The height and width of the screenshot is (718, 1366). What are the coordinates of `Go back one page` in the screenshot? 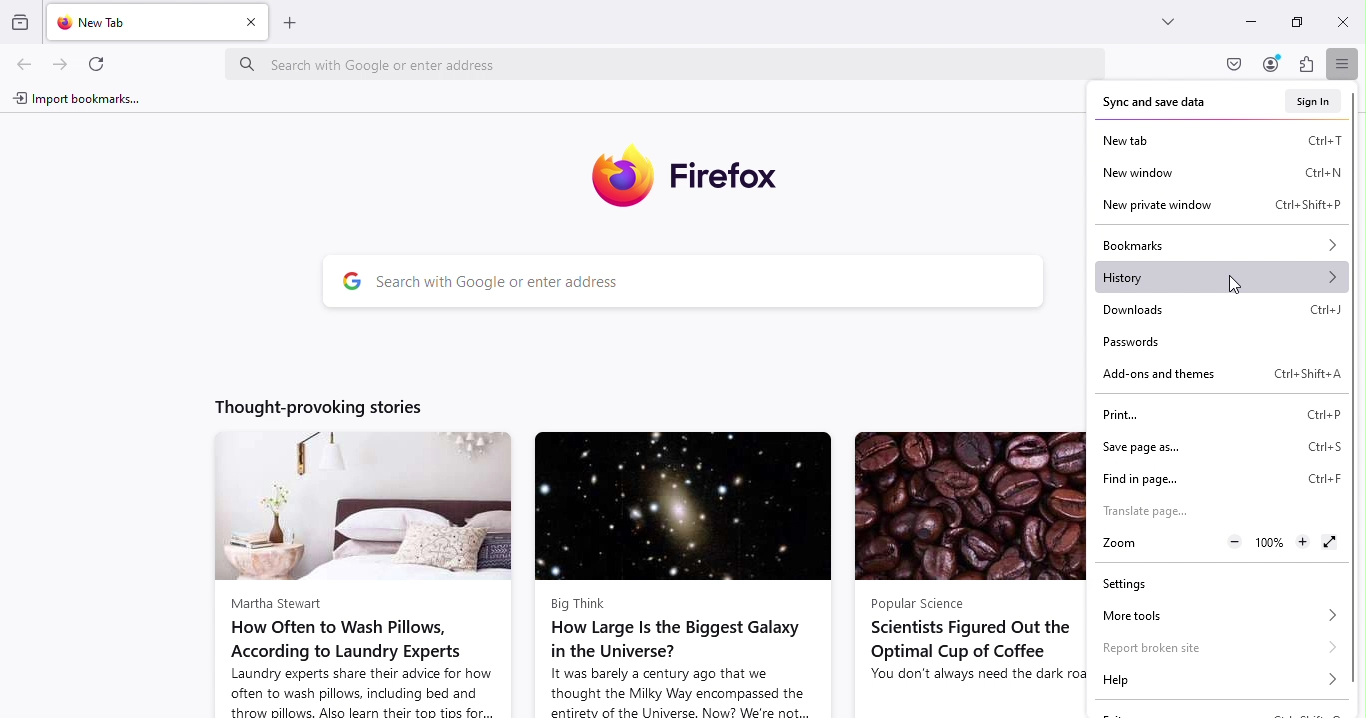 It's located at (22, 67).